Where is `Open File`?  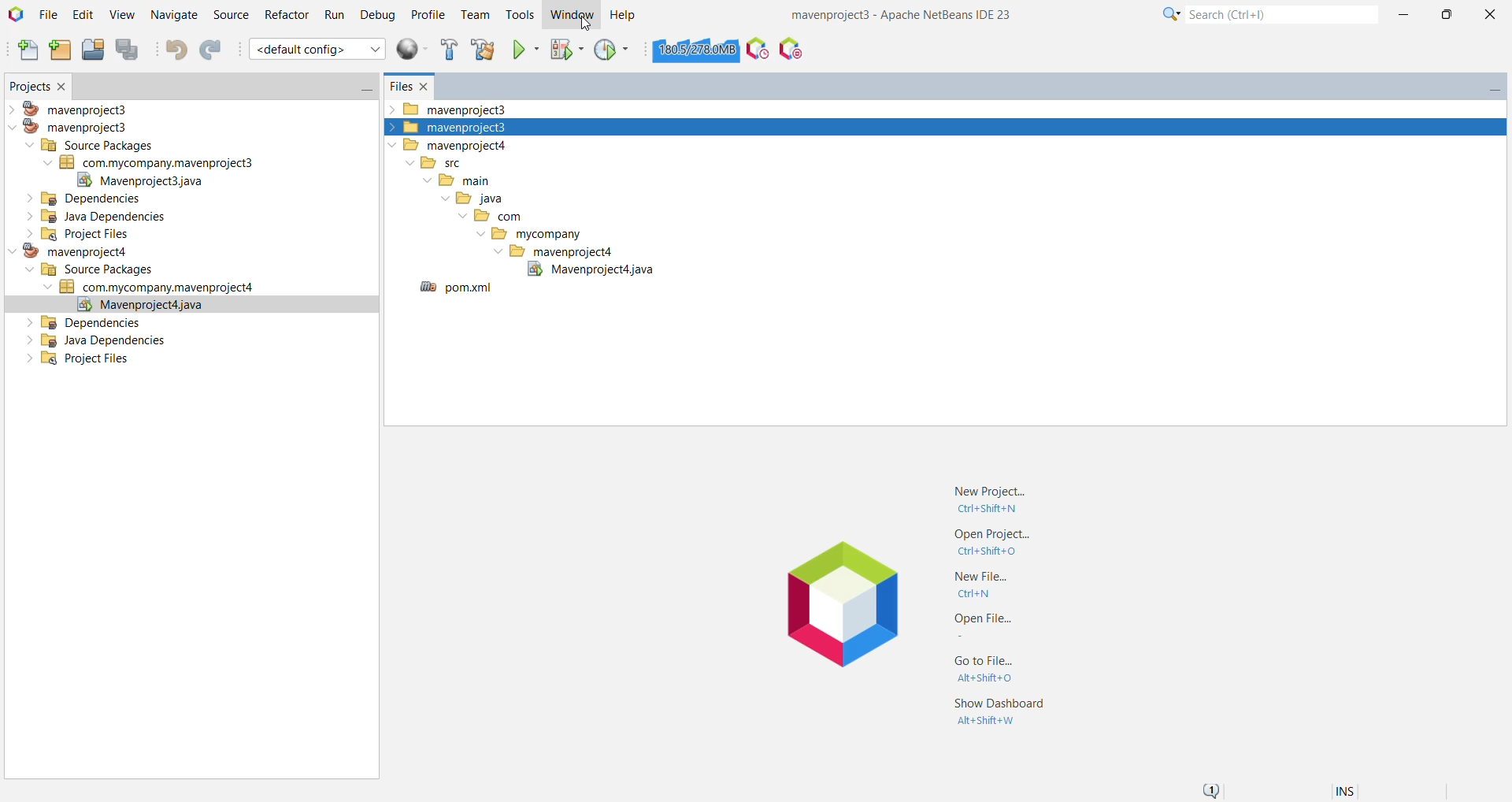
Open File is located at coordinates (983, 624).